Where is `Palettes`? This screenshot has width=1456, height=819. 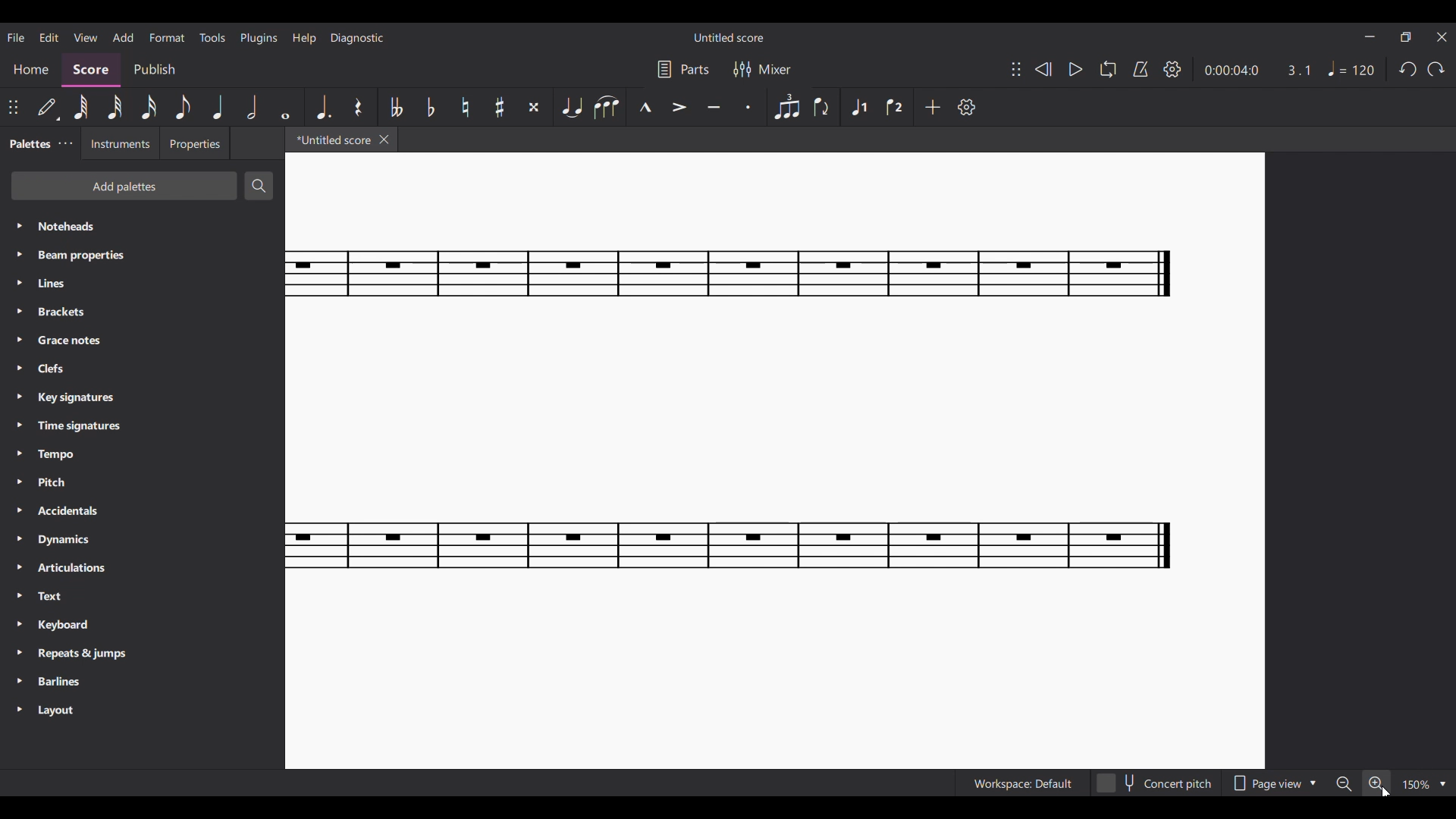
Palettes is located at coordinates (28, 143).